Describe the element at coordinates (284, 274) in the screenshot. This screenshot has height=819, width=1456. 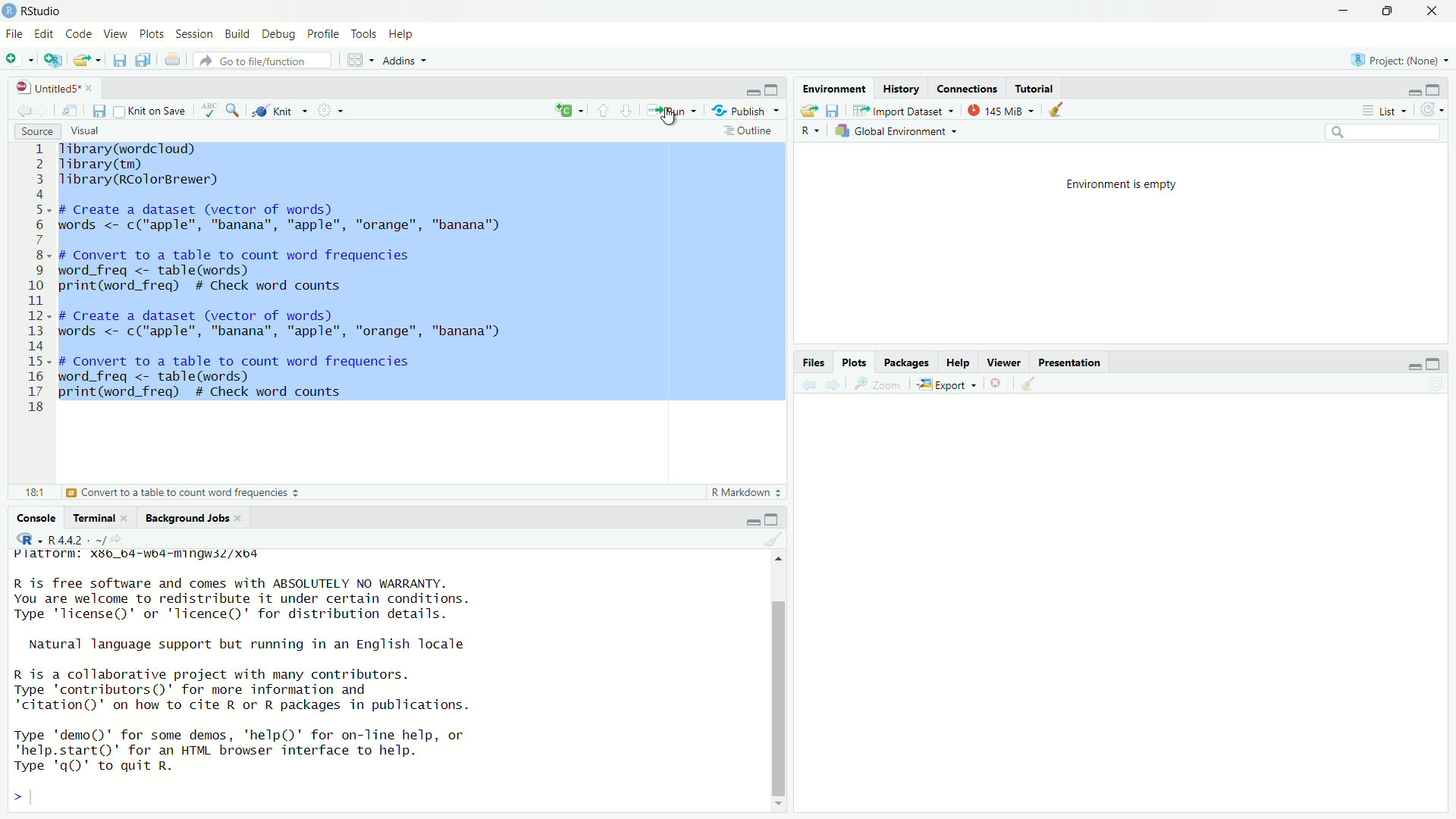
I see `1ibrary(wordcioud)> Tibrary(tm)3 Tlibrary(RColorBrewer)45- # Create a dataset (vector of words)5 words <- c("apple", "banana", "apple", "orange", "banana")F8. # Convert to a table to count word frequencies) word_freq <- table(words)) print(word_freq) # Check word counts IL2- # Create a dataset (vector of words)3 words <- c("apple", "banana", "apple", "orange", "banana")45« # Convert to a table to count word frequencies5 word_freq <- table(words)7 print(word_freq) # Check word counts.` at that location.